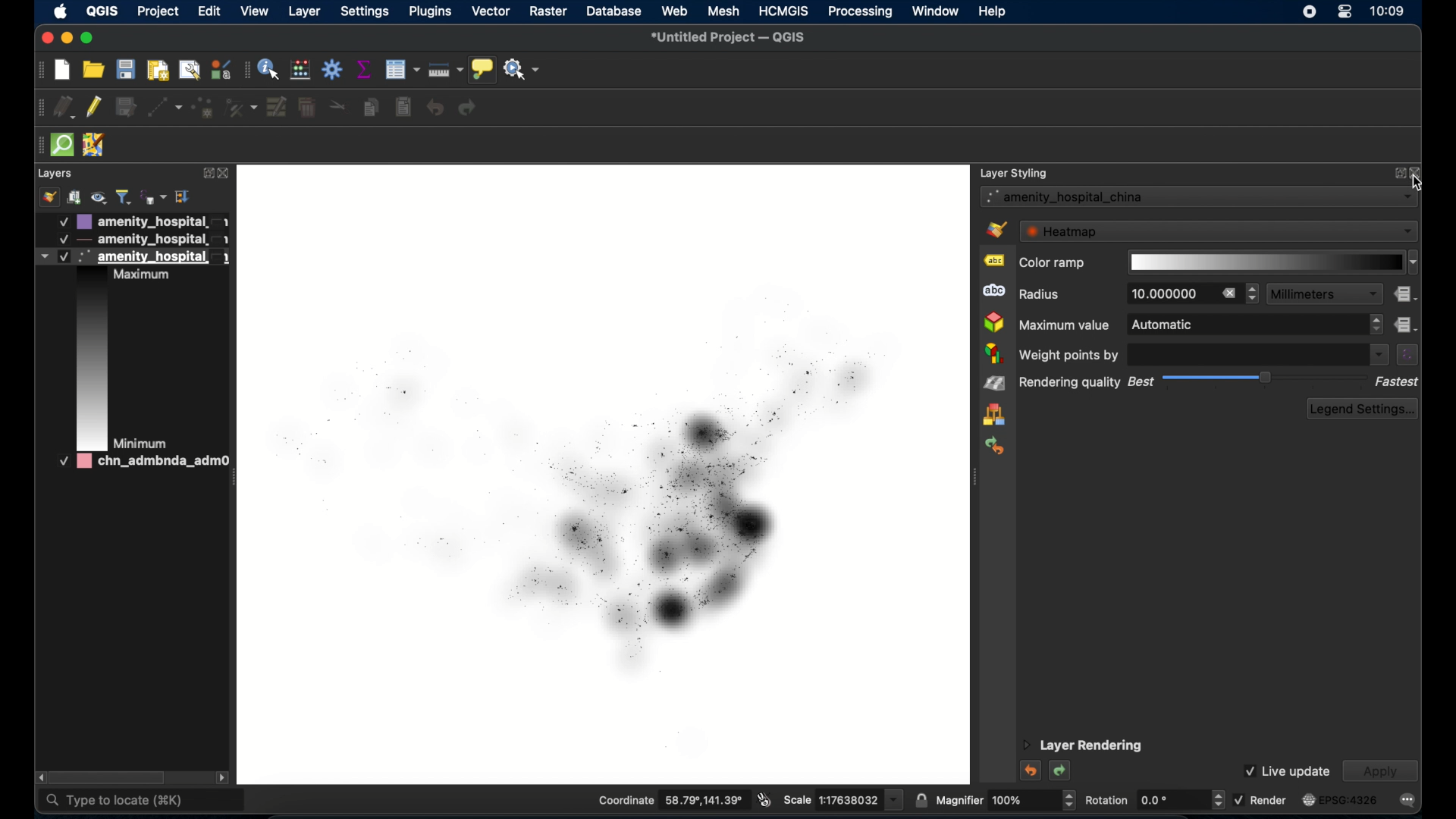 The image size is (1456, 819). What do you see at coordinates (1346, 12) in the screenshot?
I see `control center` at bounding box center [1346, 12].